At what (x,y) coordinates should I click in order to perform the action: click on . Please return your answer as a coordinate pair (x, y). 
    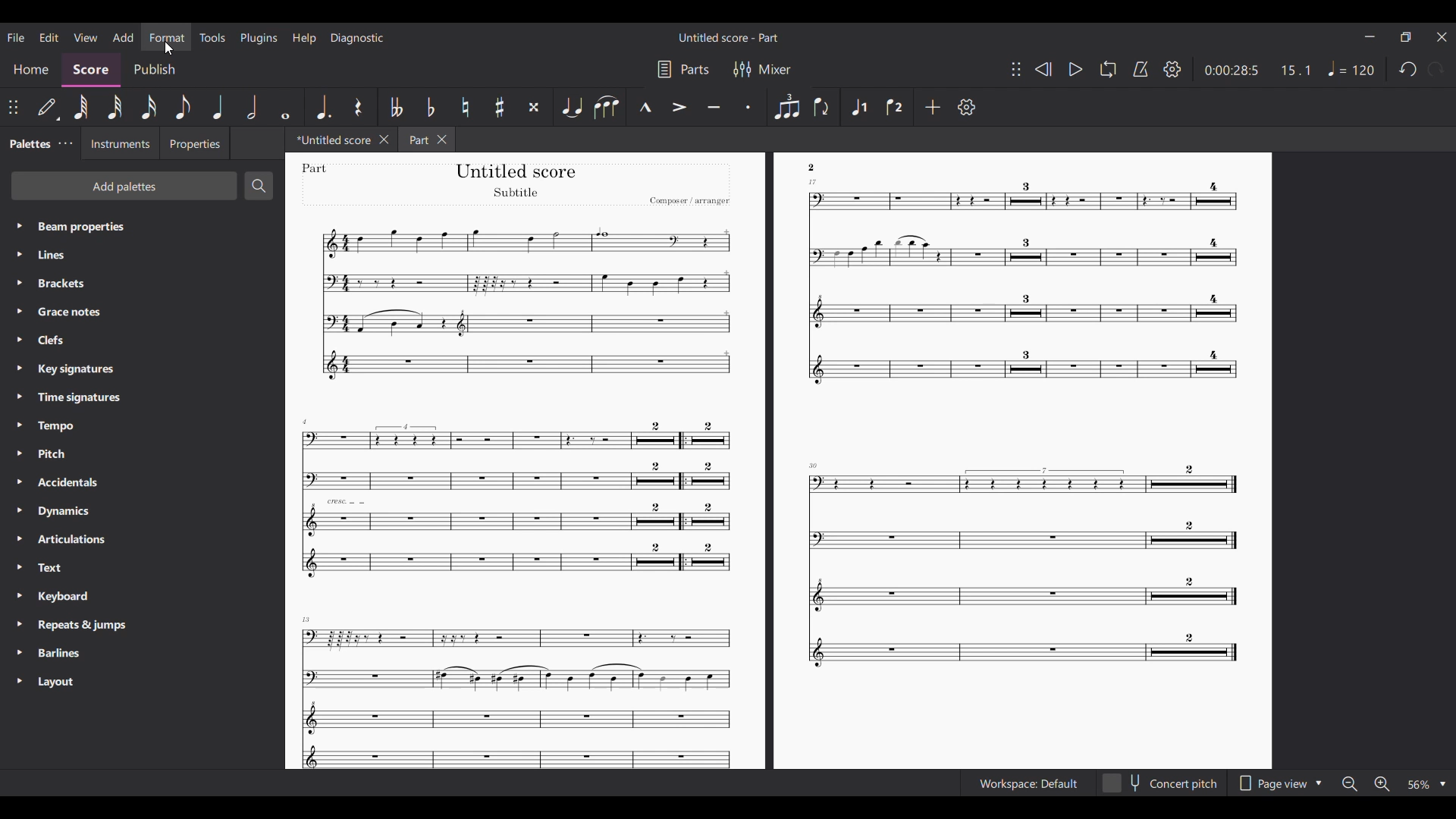
    Looking at the image, I should click on (322, 168).